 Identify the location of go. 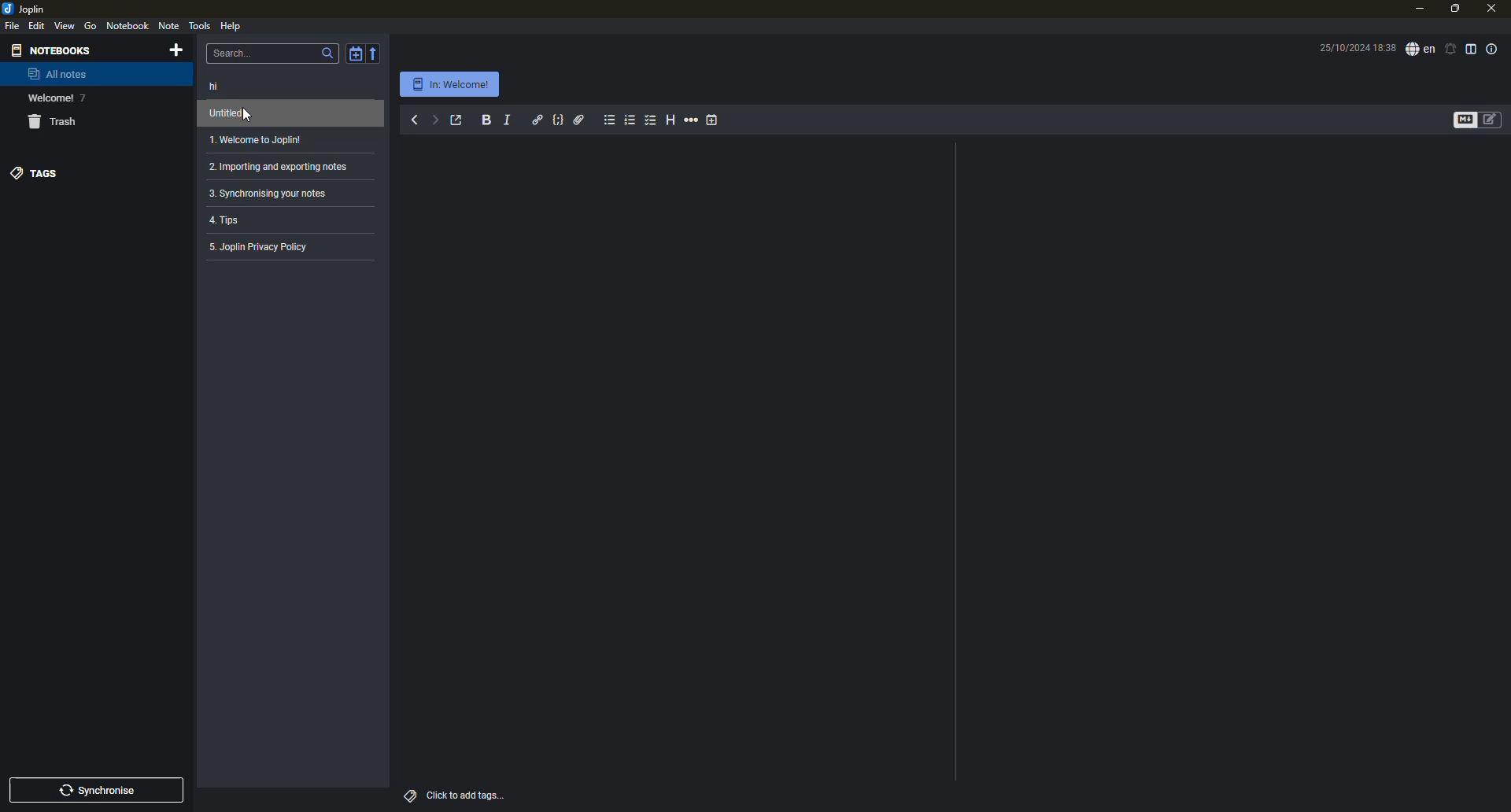
(91, 26).